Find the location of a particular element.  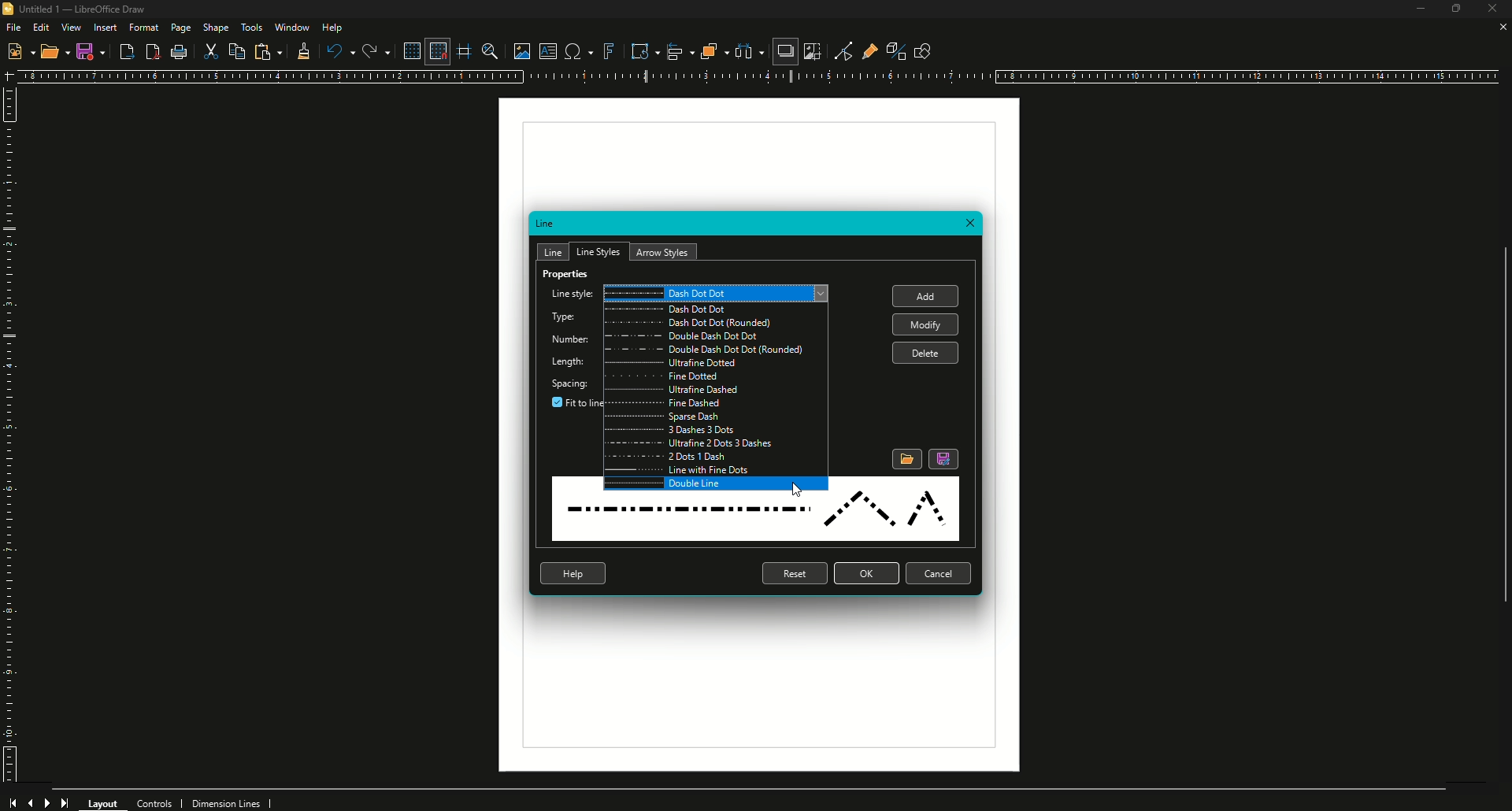

Format is located at coordinates (144, 28).